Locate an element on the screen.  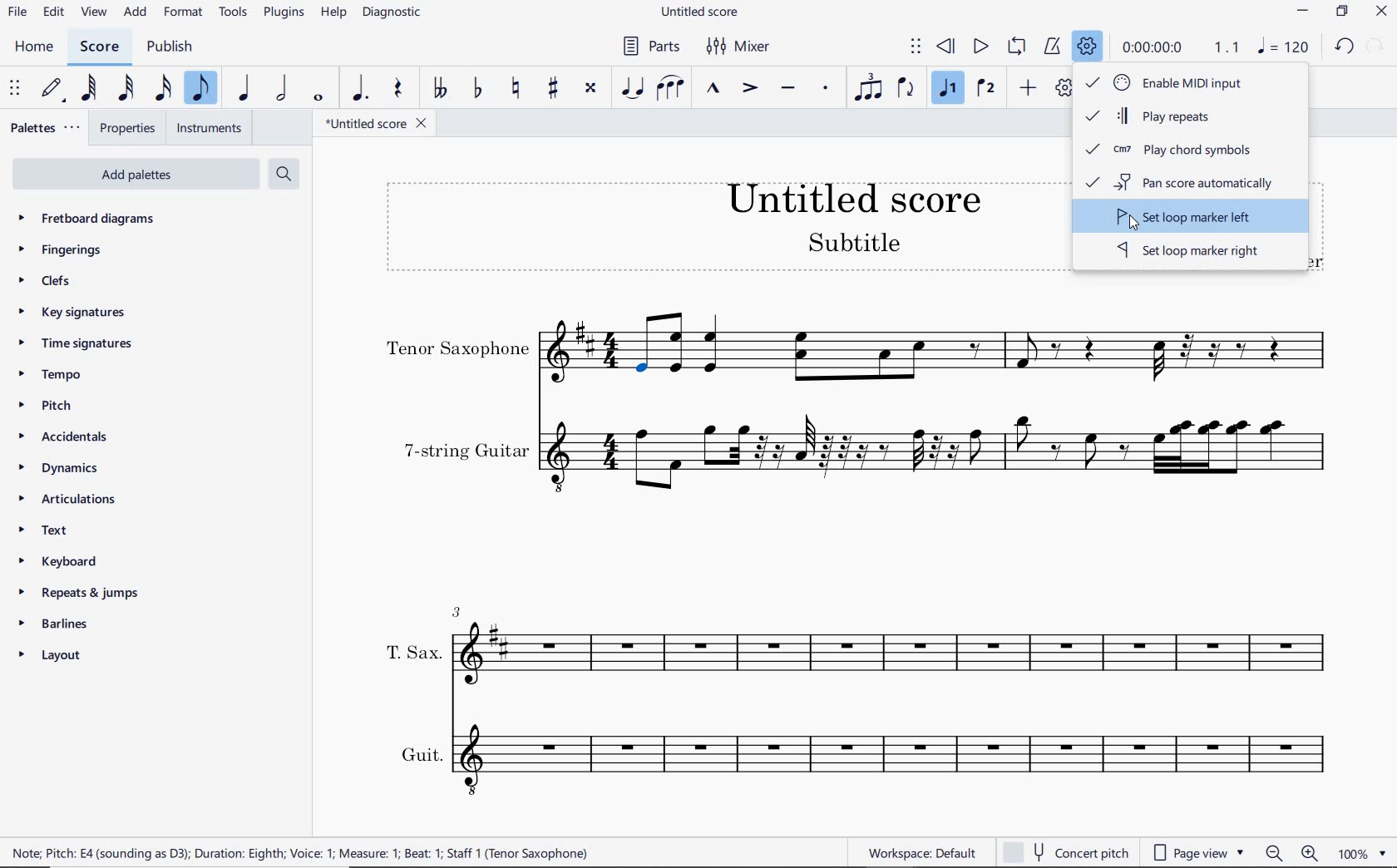
pan score automatically is located at coordinates (1188, 184).